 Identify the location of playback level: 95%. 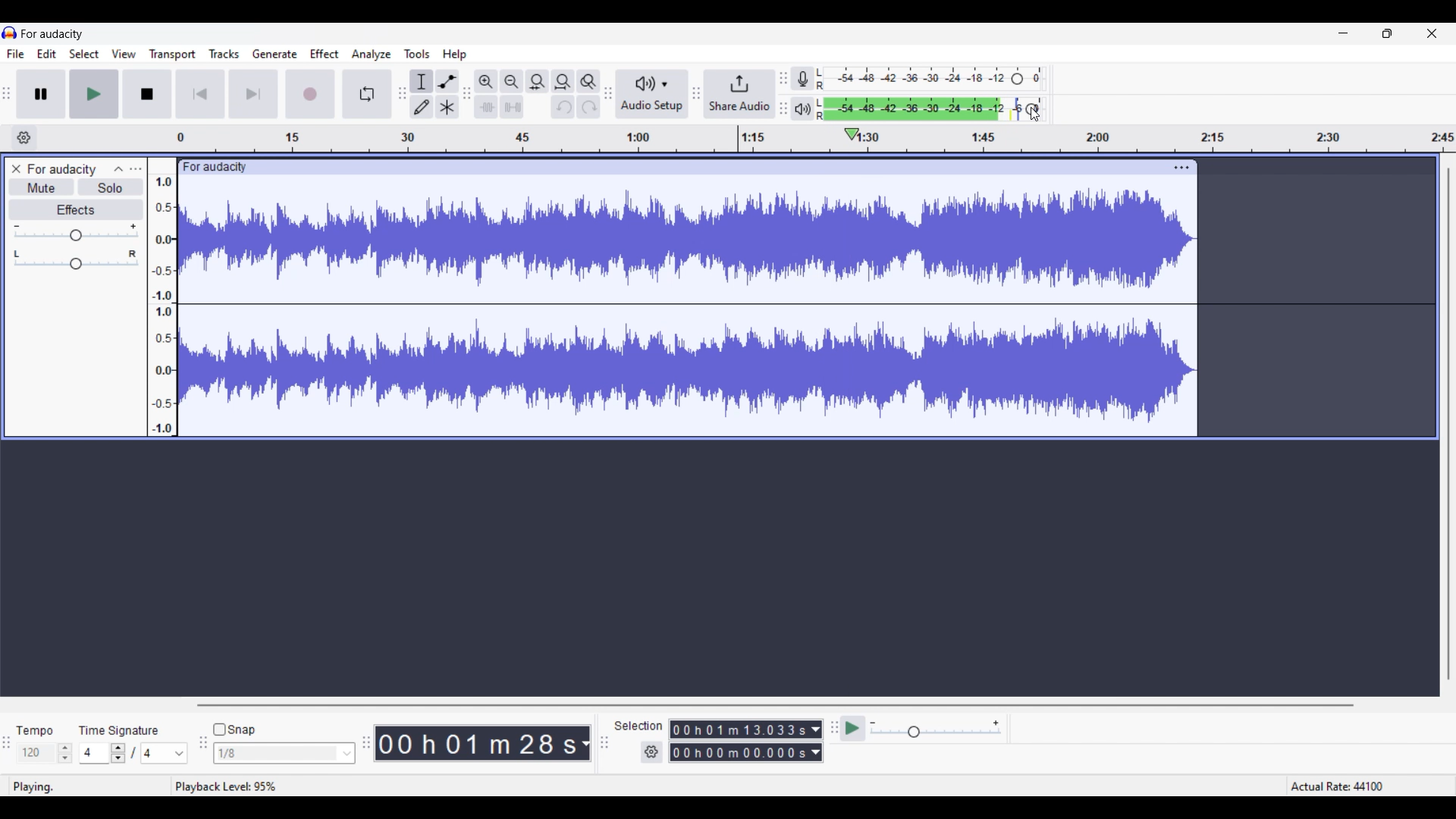
(224, 786).